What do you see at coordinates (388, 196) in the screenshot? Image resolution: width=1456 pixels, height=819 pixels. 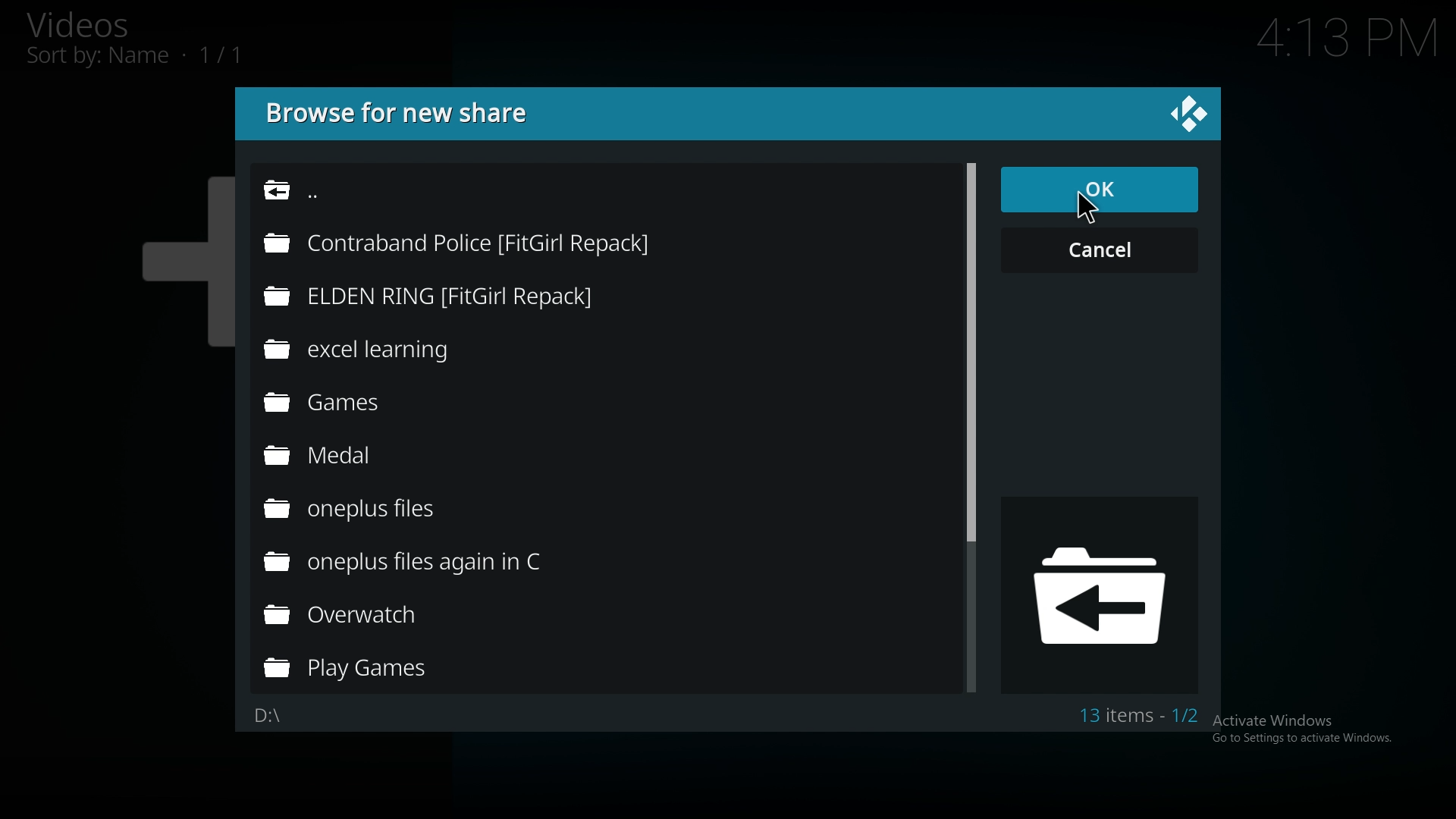 I see `back` at bounding box center [388, 196].